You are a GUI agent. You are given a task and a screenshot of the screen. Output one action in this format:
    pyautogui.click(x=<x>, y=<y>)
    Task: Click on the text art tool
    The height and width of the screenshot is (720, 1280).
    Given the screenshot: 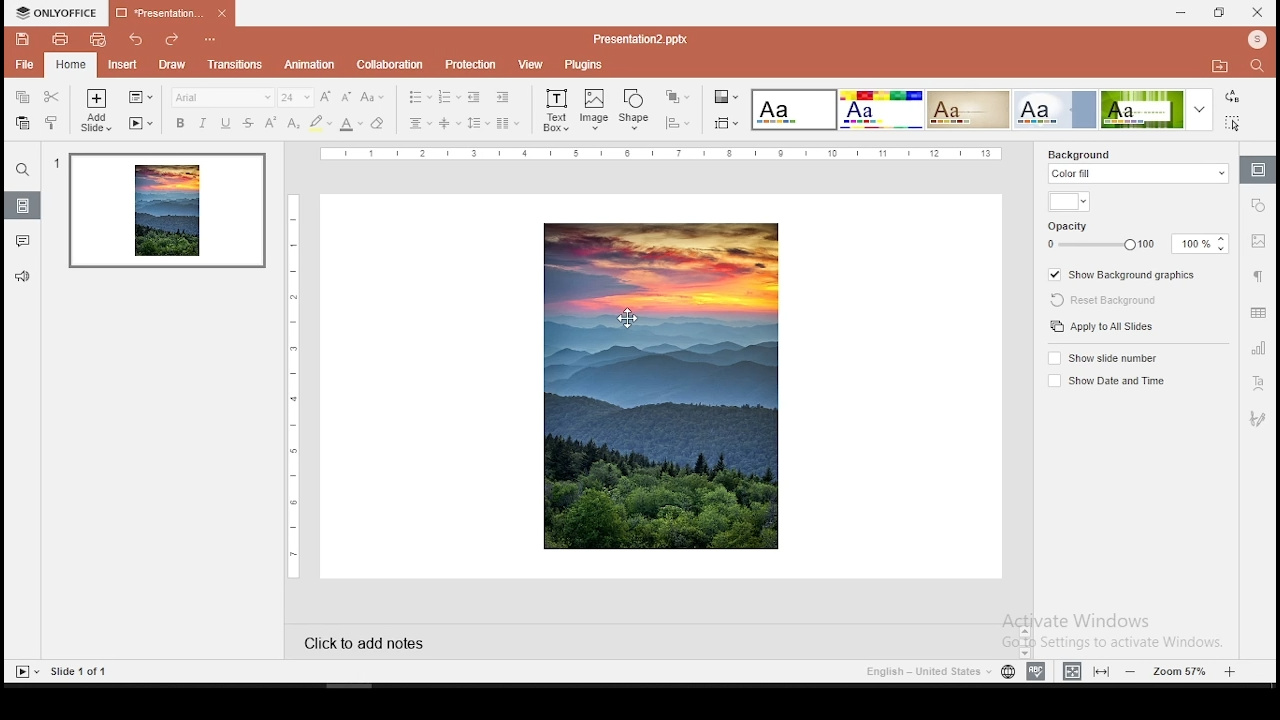 What is the action you would take?
    pyautogui.click(x=1259, y=385)
    